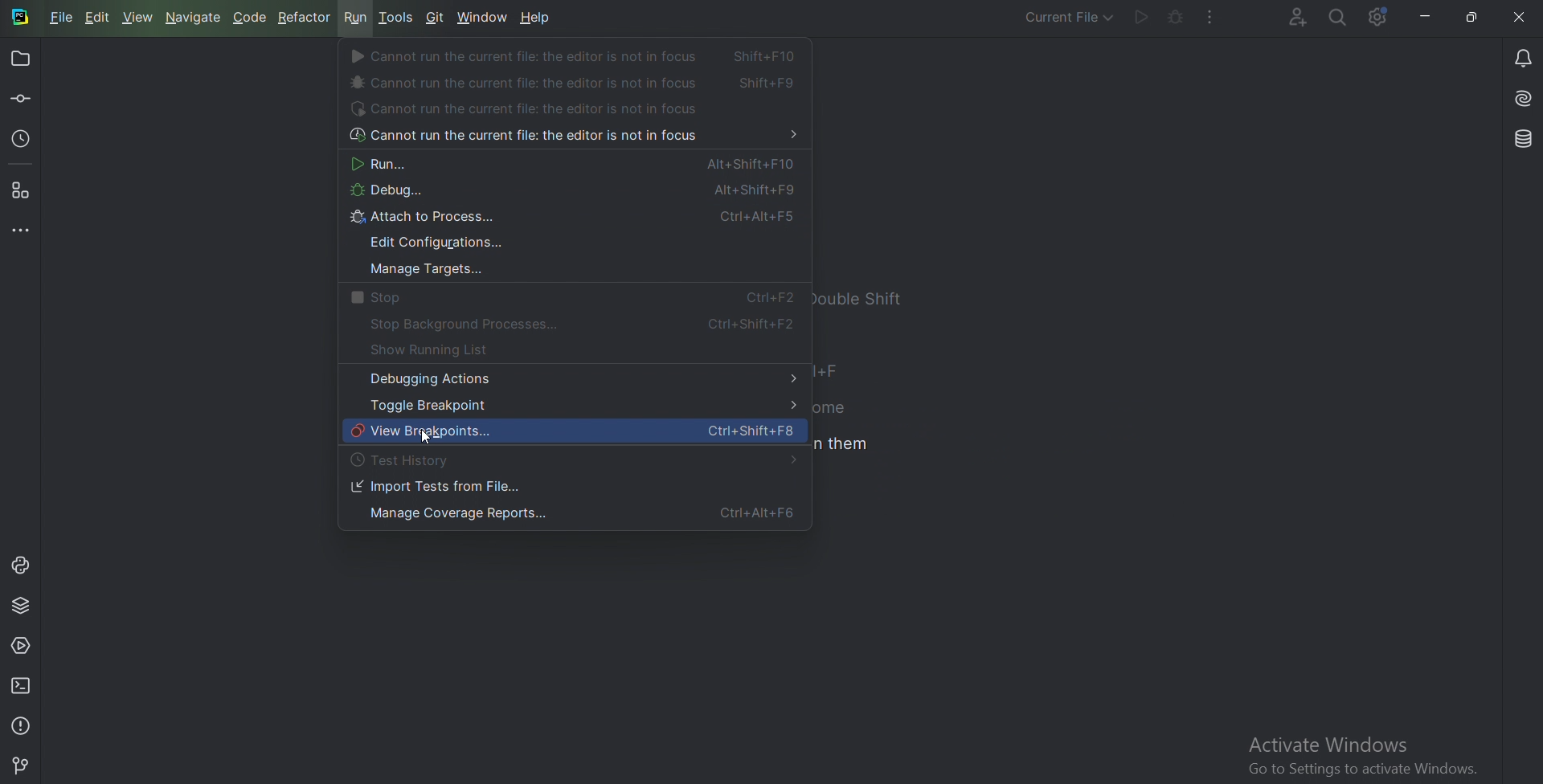 The image size is (1543, 784). Describe the element at coordinates (22, 763) in the screenshot. I see `Git` at that location.